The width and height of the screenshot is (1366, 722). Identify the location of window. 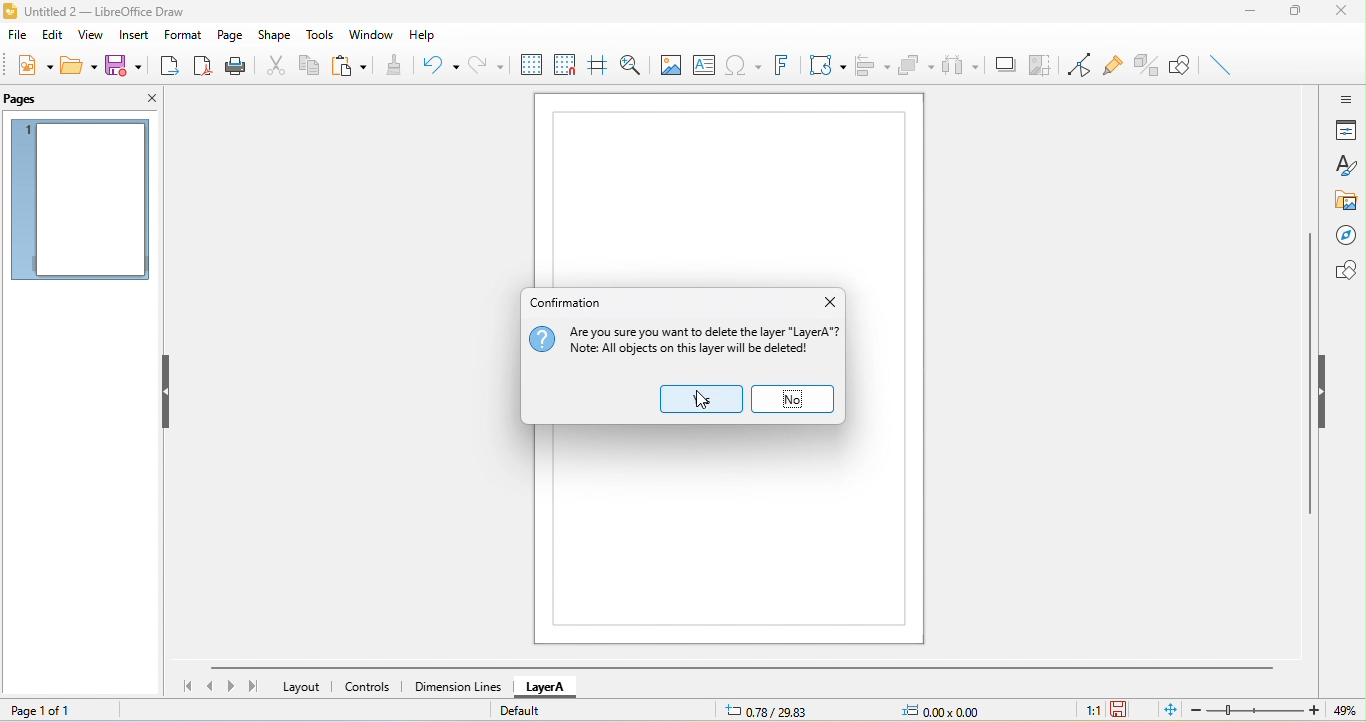
(373, 34).